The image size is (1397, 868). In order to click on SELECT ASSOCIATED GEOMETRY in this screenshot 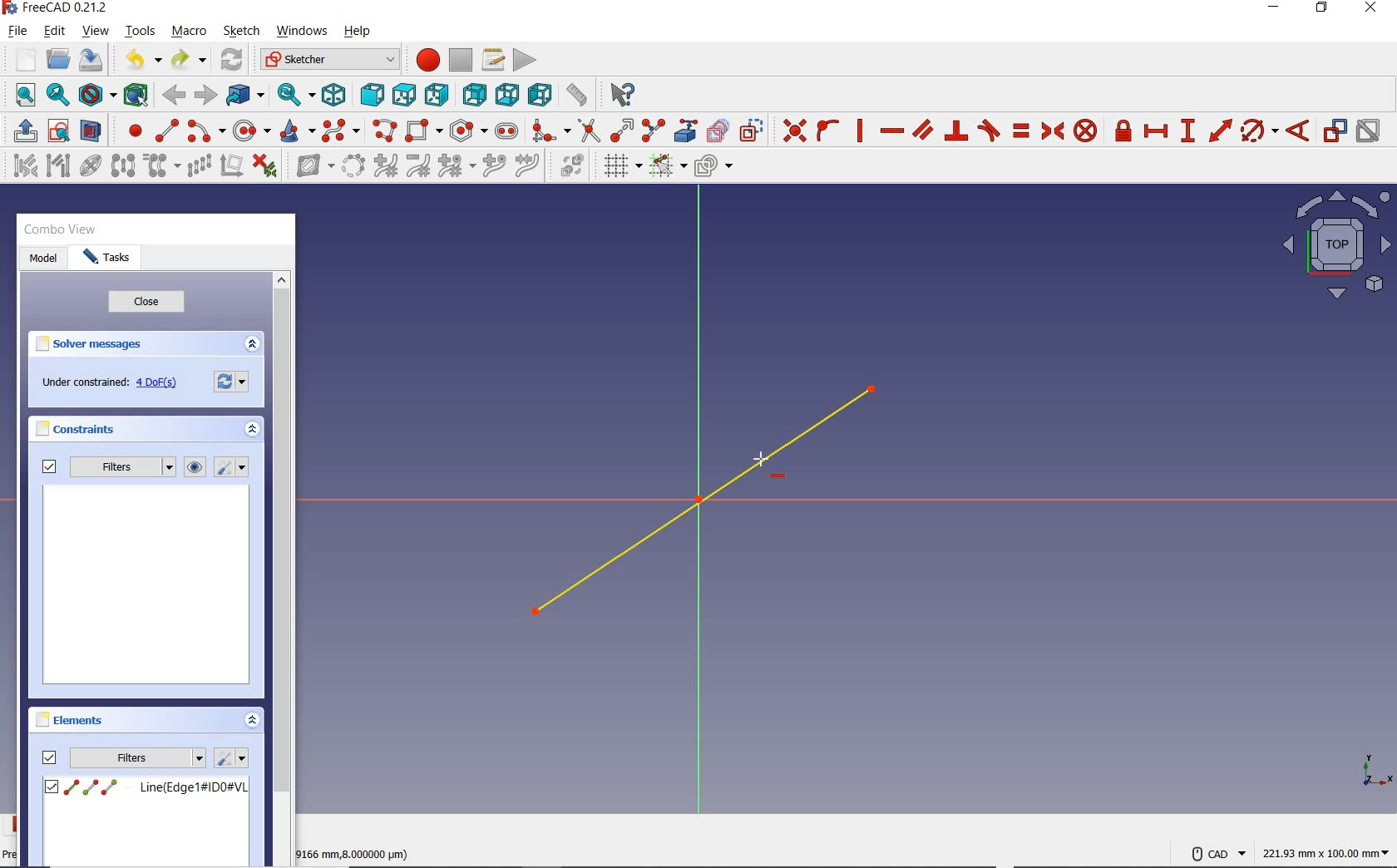, I will do `click(59, 165)`.